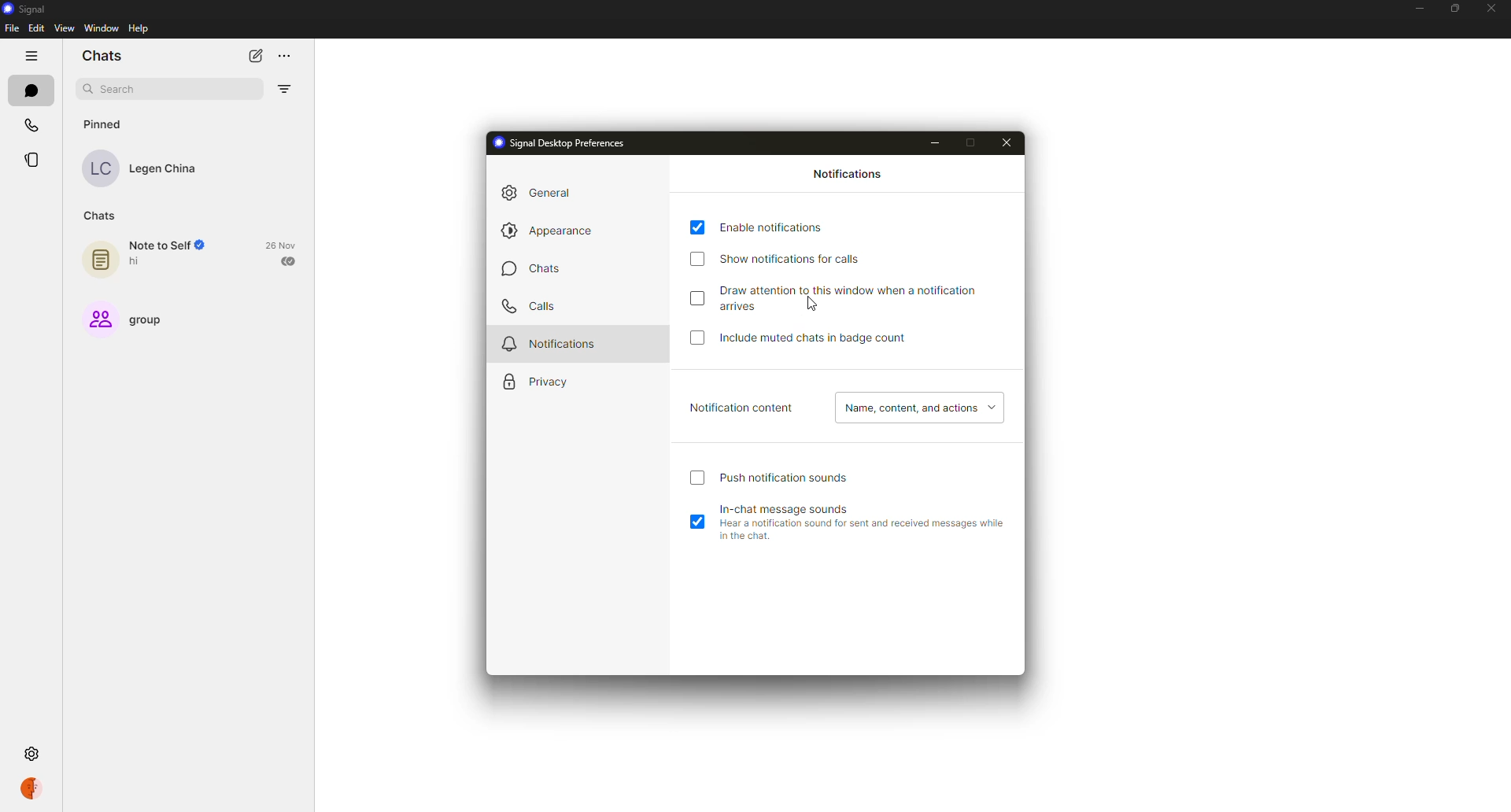 This screenshot has width=1511, height=812. Describe the element at coordinates (741, 406) in the screenshot. I see `notification  content` at that location.